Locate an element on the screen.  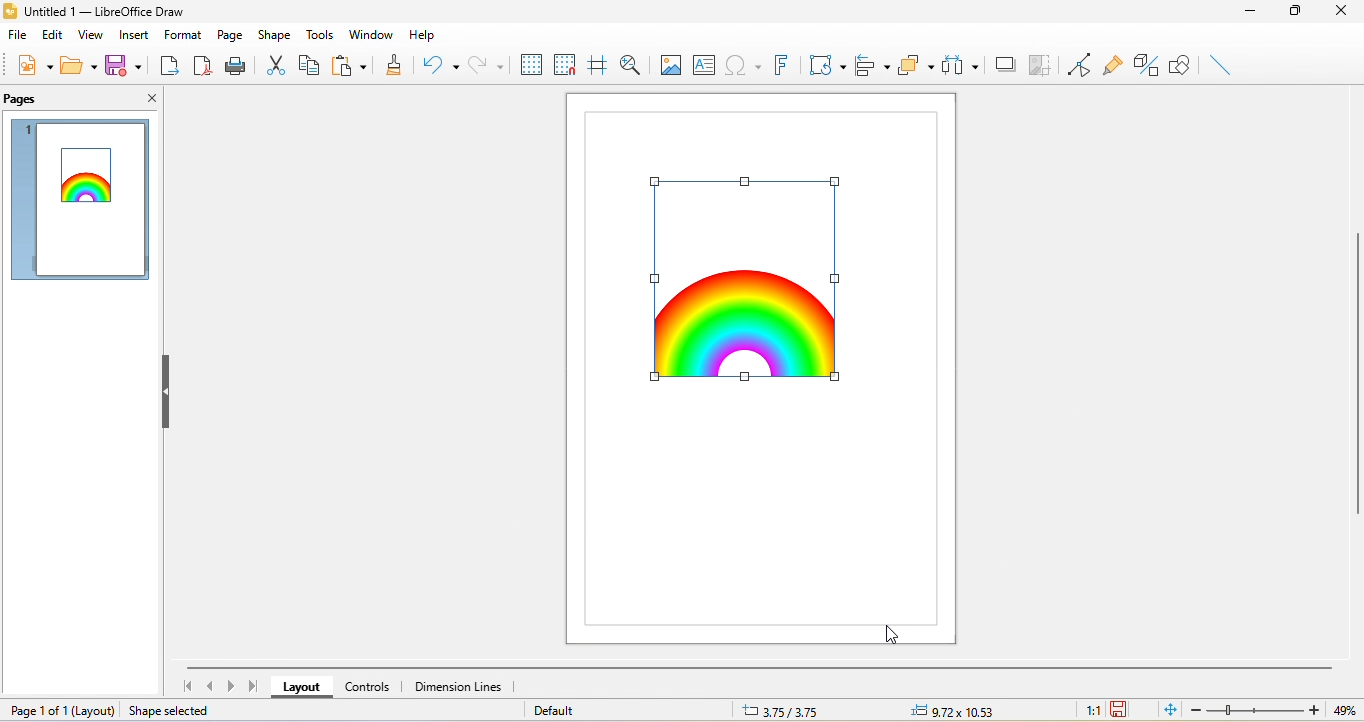
first page is located at coordinates (189, 686).